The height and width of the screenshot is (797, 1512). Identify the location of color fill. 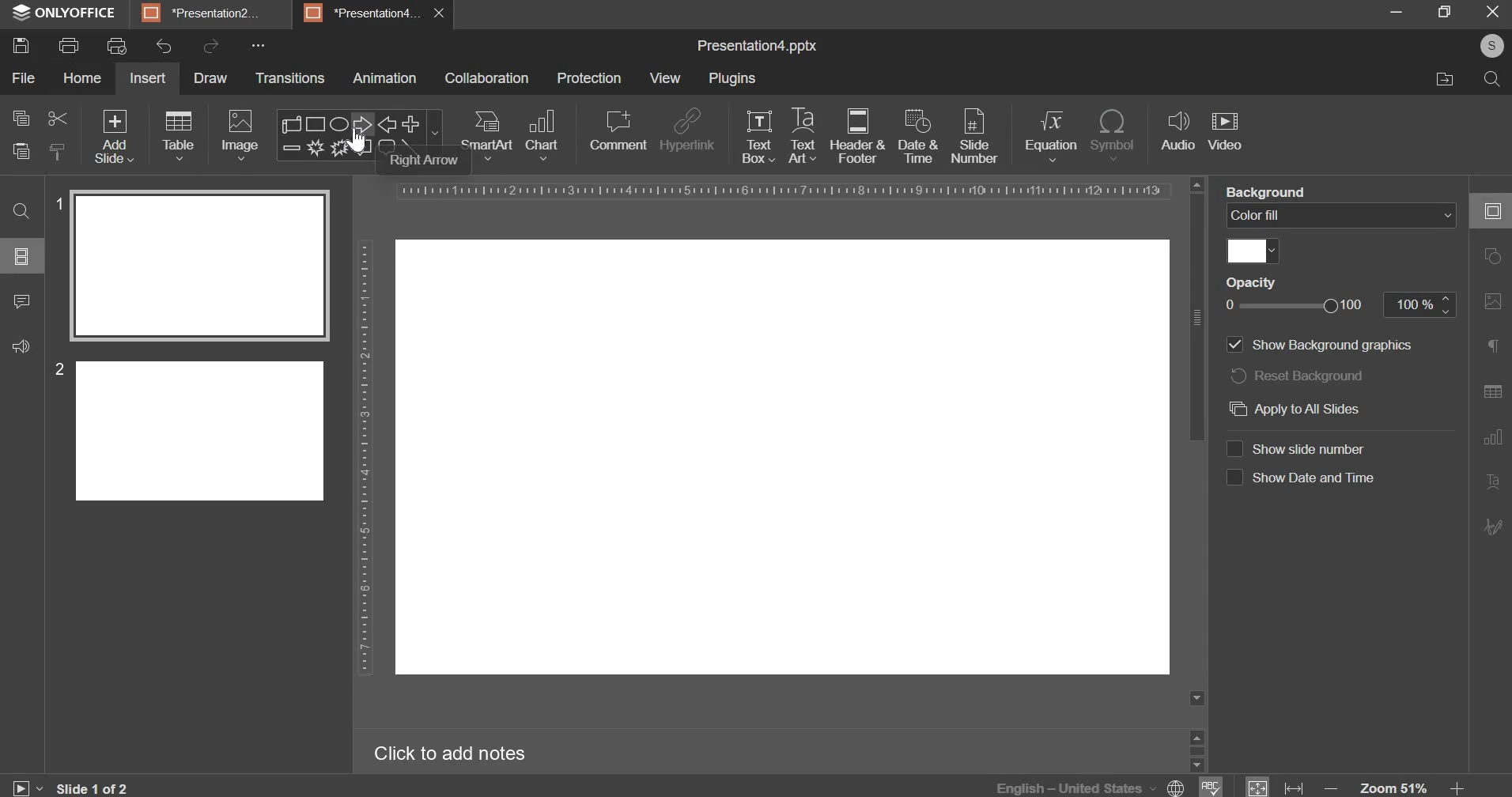
(1249, 251).